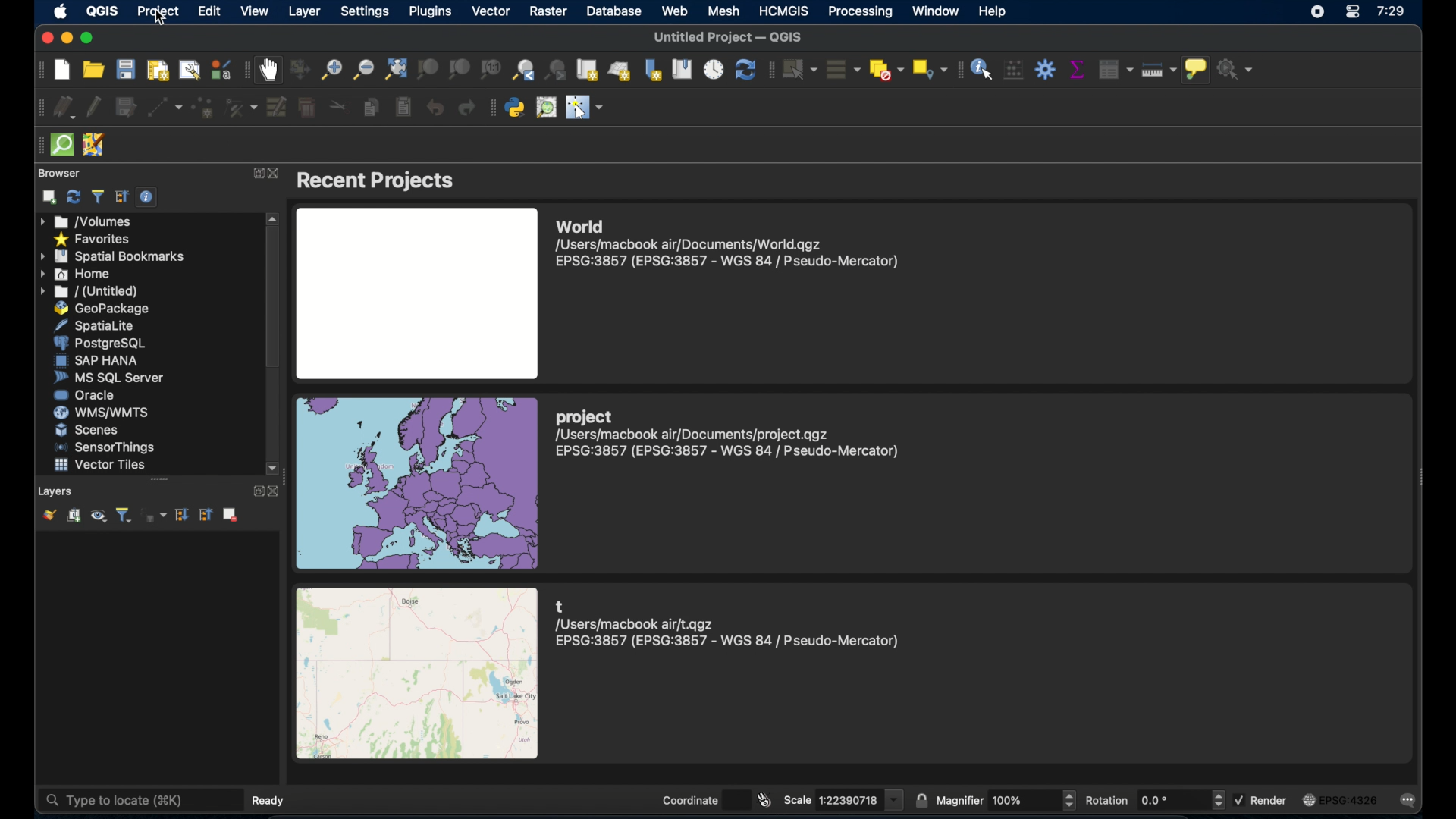 The height and width of the screenshot is (819, 1456). Describe the element at coordinates (961, 71) in the screenshot. I see `attribute toolbar` at that location.